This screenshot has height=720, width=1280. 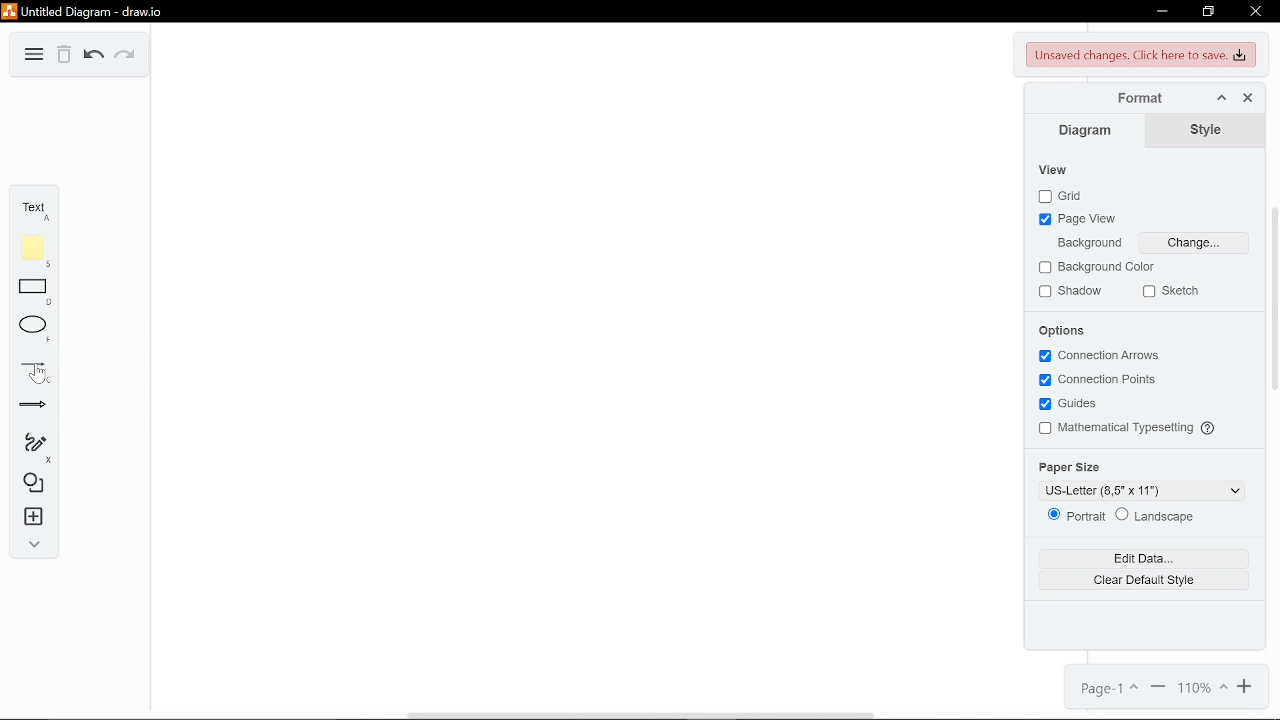 I want to click on Ellipse, so click(x=35, y=331).